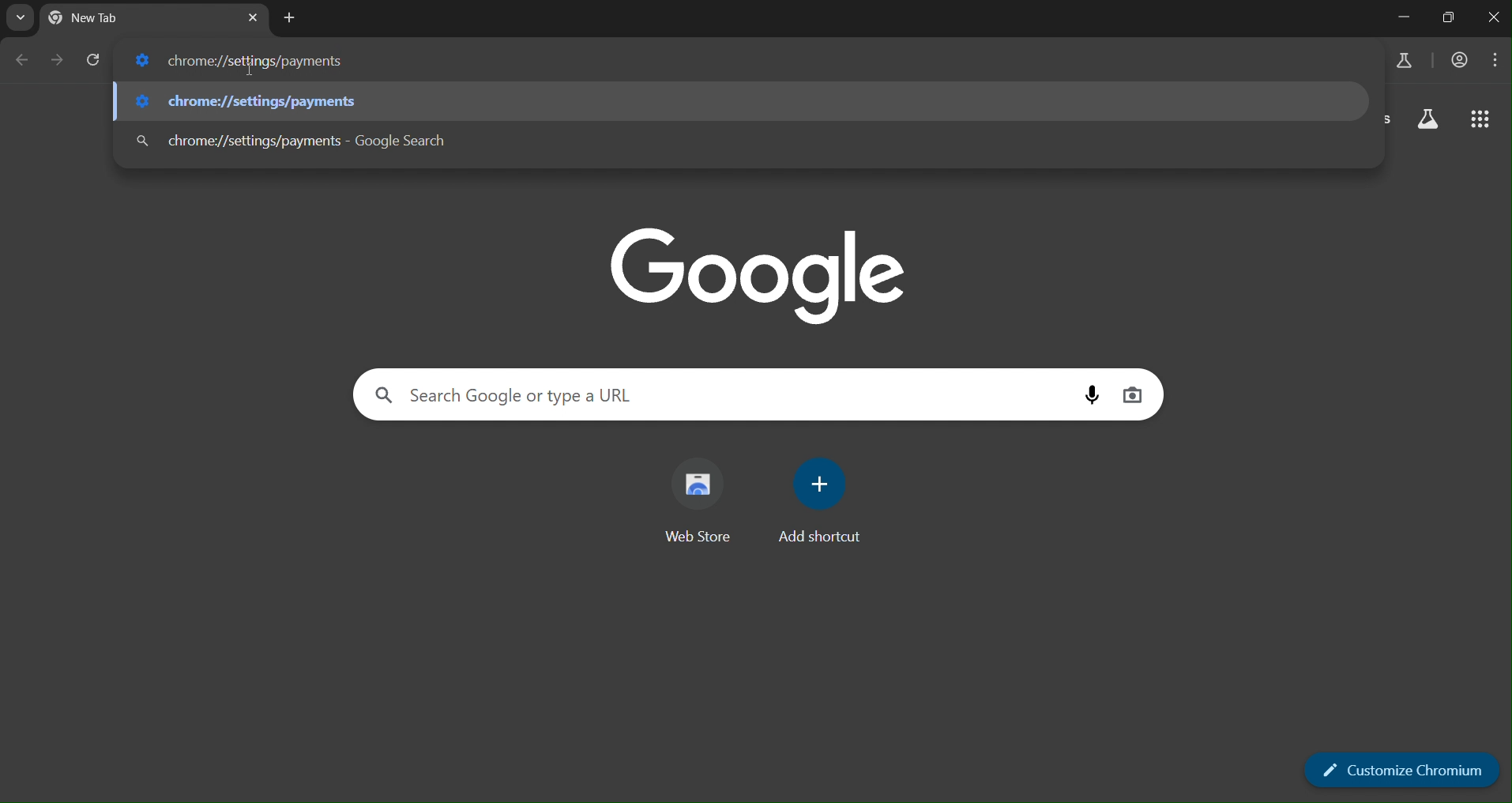 This screenshot has width=1512, height=803. I want to click on google apps, so click(1479, 117).